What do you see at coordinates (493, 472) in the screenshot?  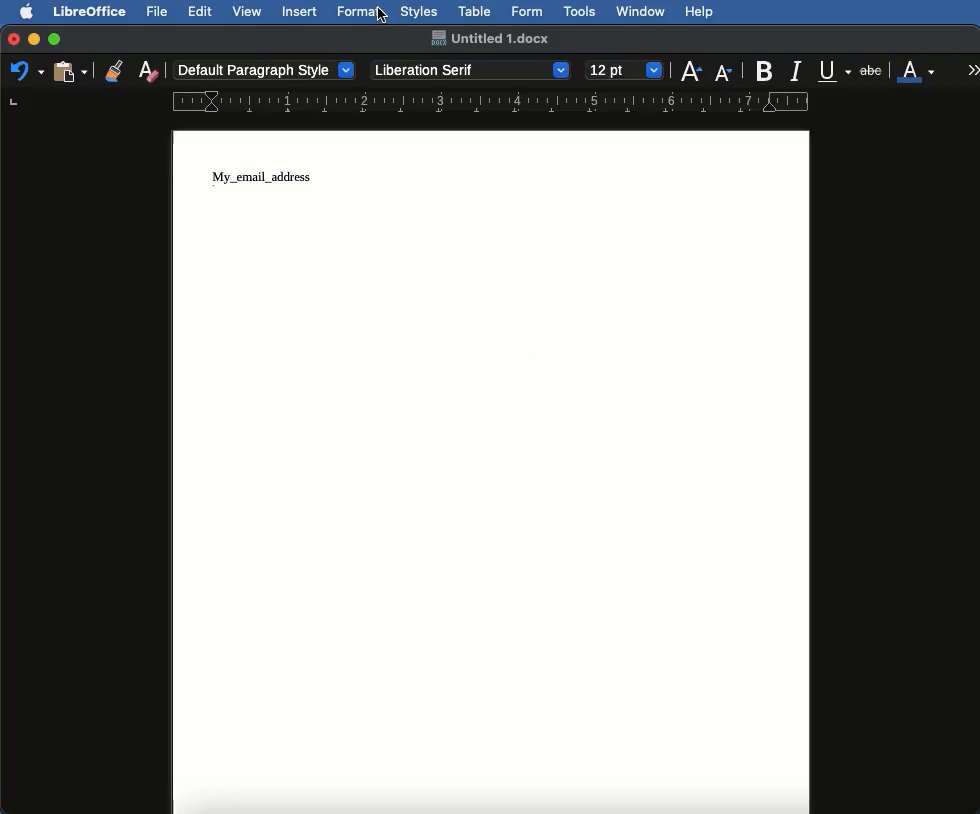 I see `Page` at bounding box center [493, 472].